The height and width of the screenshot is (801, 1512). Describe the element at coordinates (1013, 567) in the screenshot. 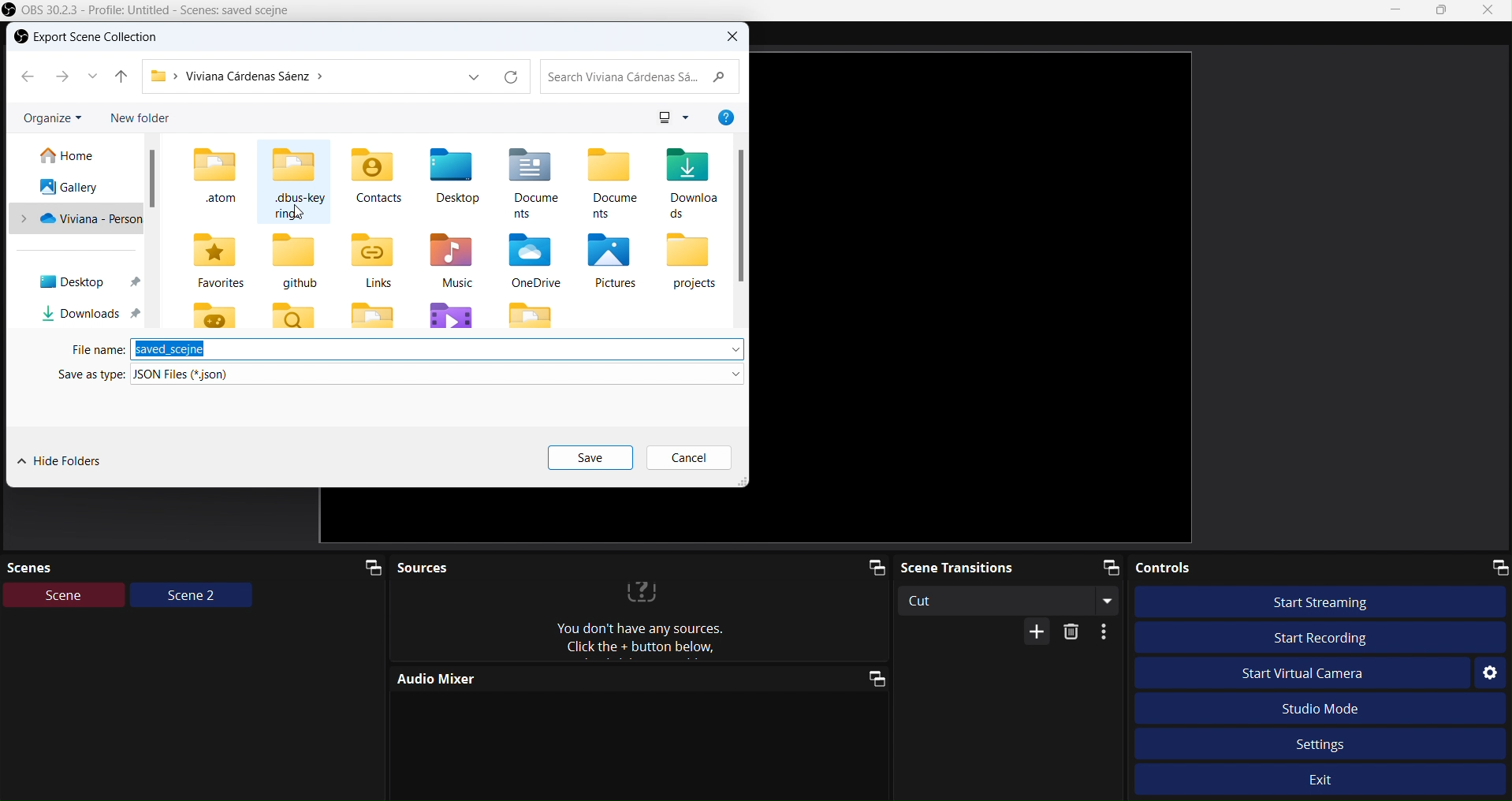

I see `Scene transitions` at that location.